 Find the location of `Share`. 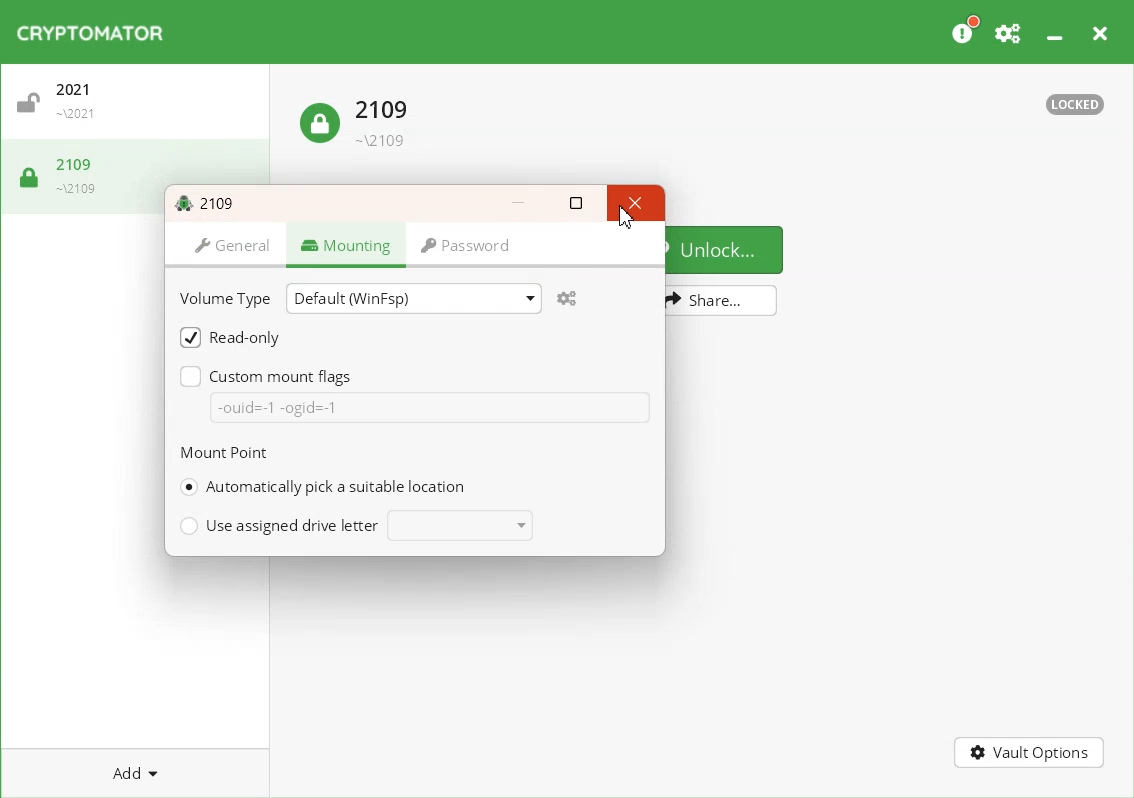

Share is located at coordinates (722, 301).